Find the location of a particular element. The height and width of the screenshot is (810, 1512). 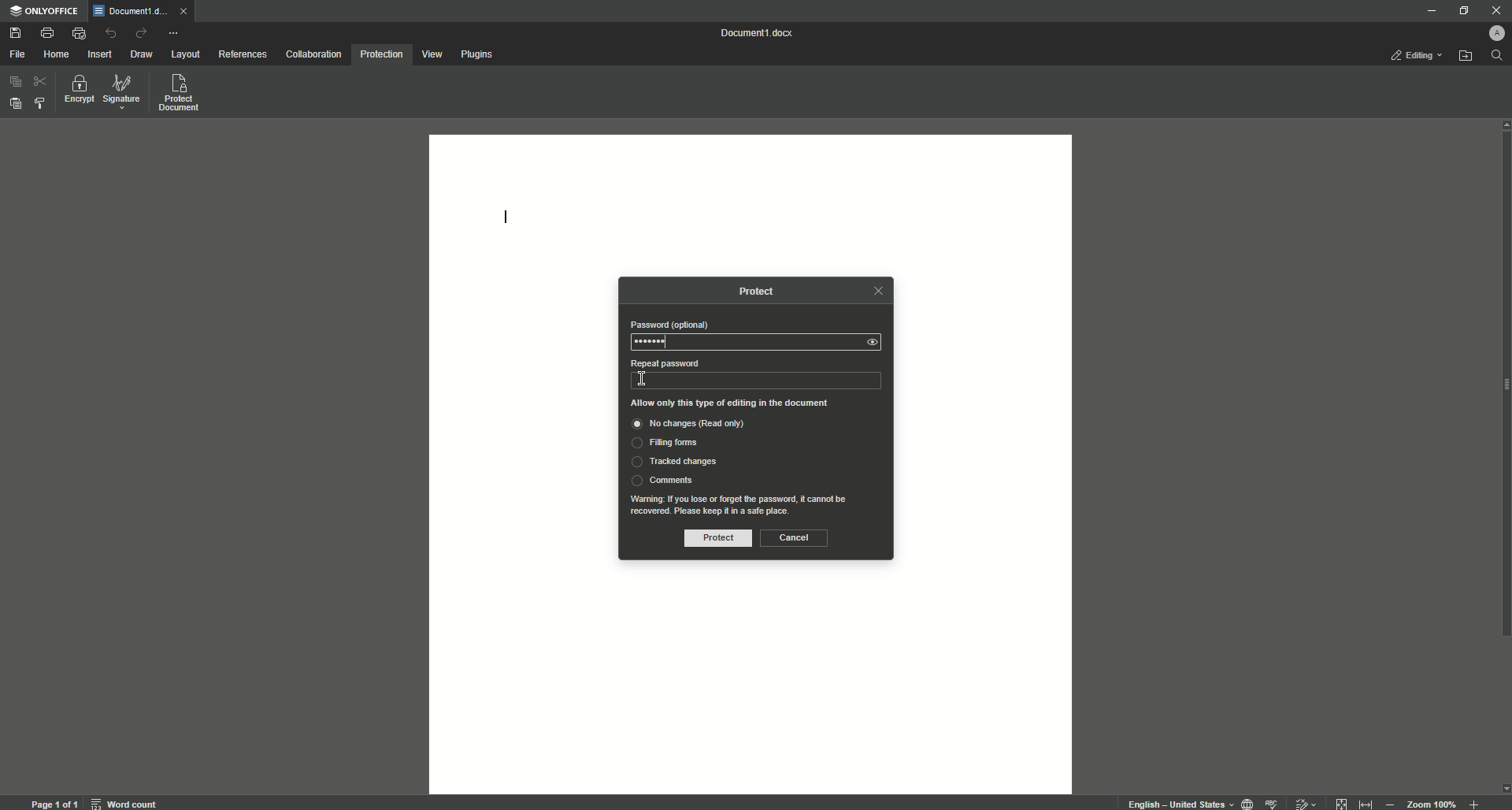

Password is located at coordinates (654, 342).